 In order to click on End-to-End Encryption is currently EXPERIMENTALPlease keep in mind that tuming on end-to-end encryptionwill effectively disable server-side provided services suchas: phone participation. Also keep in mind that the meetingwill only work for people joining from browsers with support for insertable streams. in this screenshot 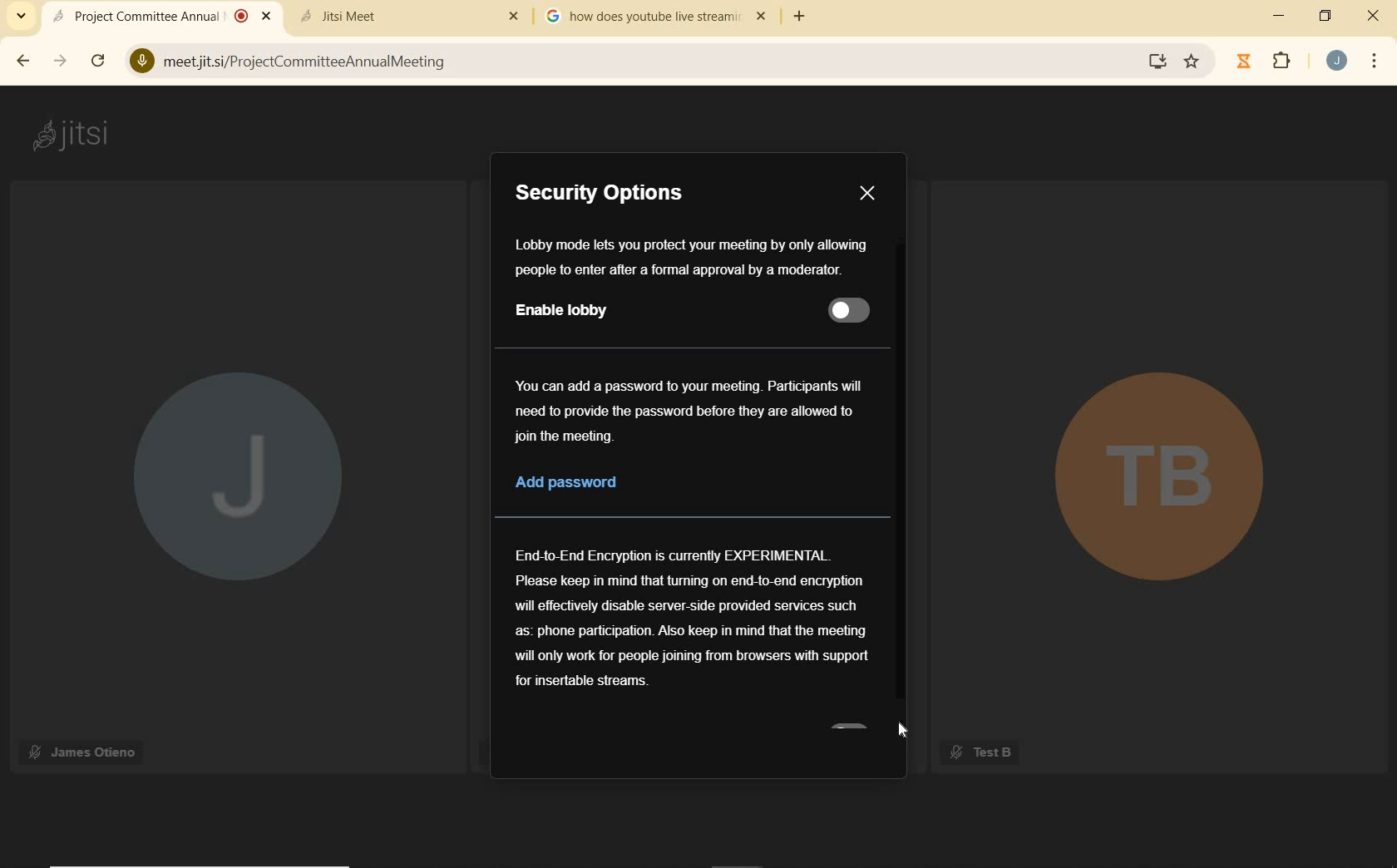, I will do `click(689, 615)`.